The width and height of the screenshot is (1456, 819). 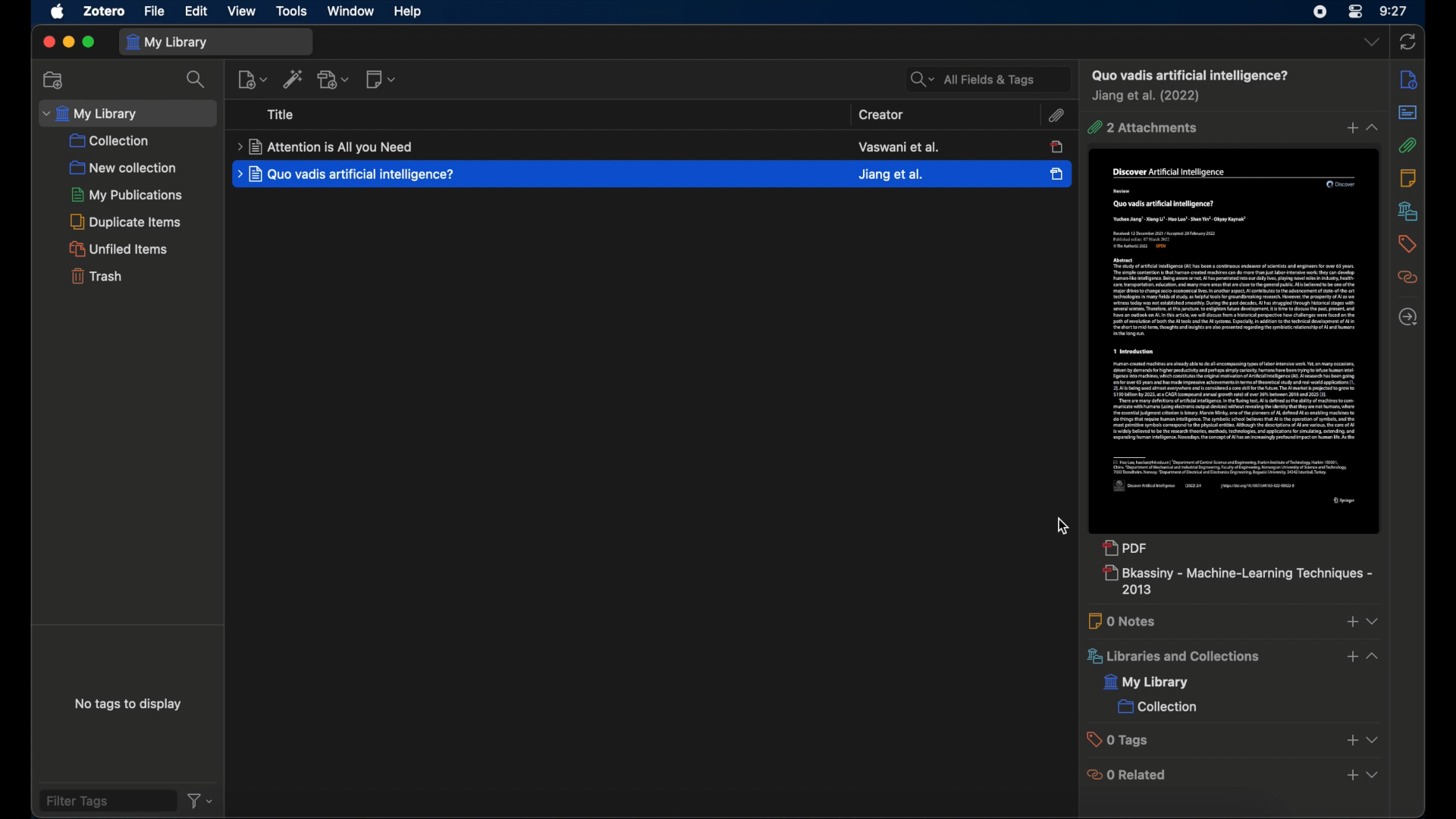 I want to click on creator, so click(x=883, y=115).